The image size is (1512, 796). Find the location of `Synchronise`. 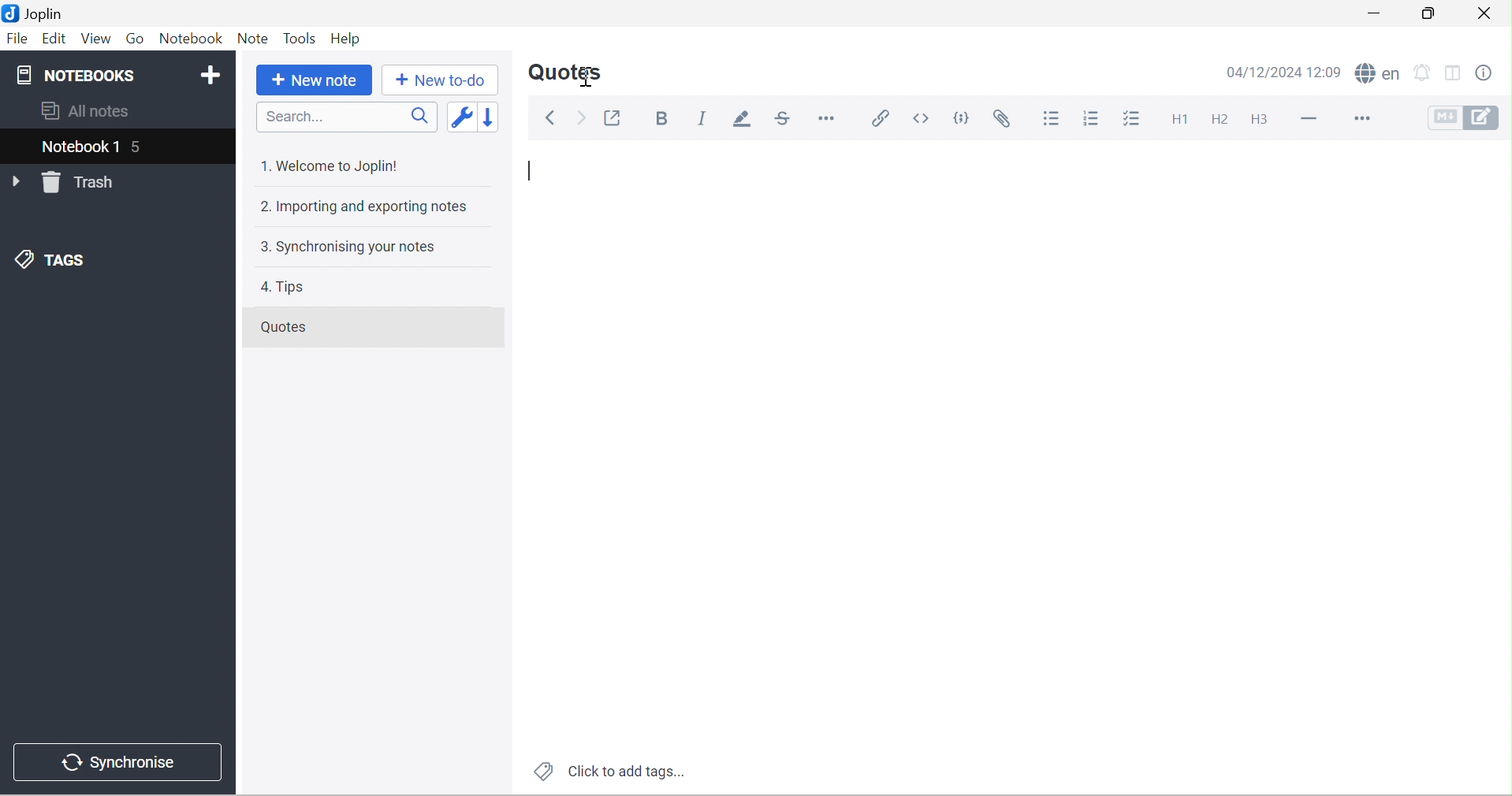

Synchronise is located at coordinates (122, 764).